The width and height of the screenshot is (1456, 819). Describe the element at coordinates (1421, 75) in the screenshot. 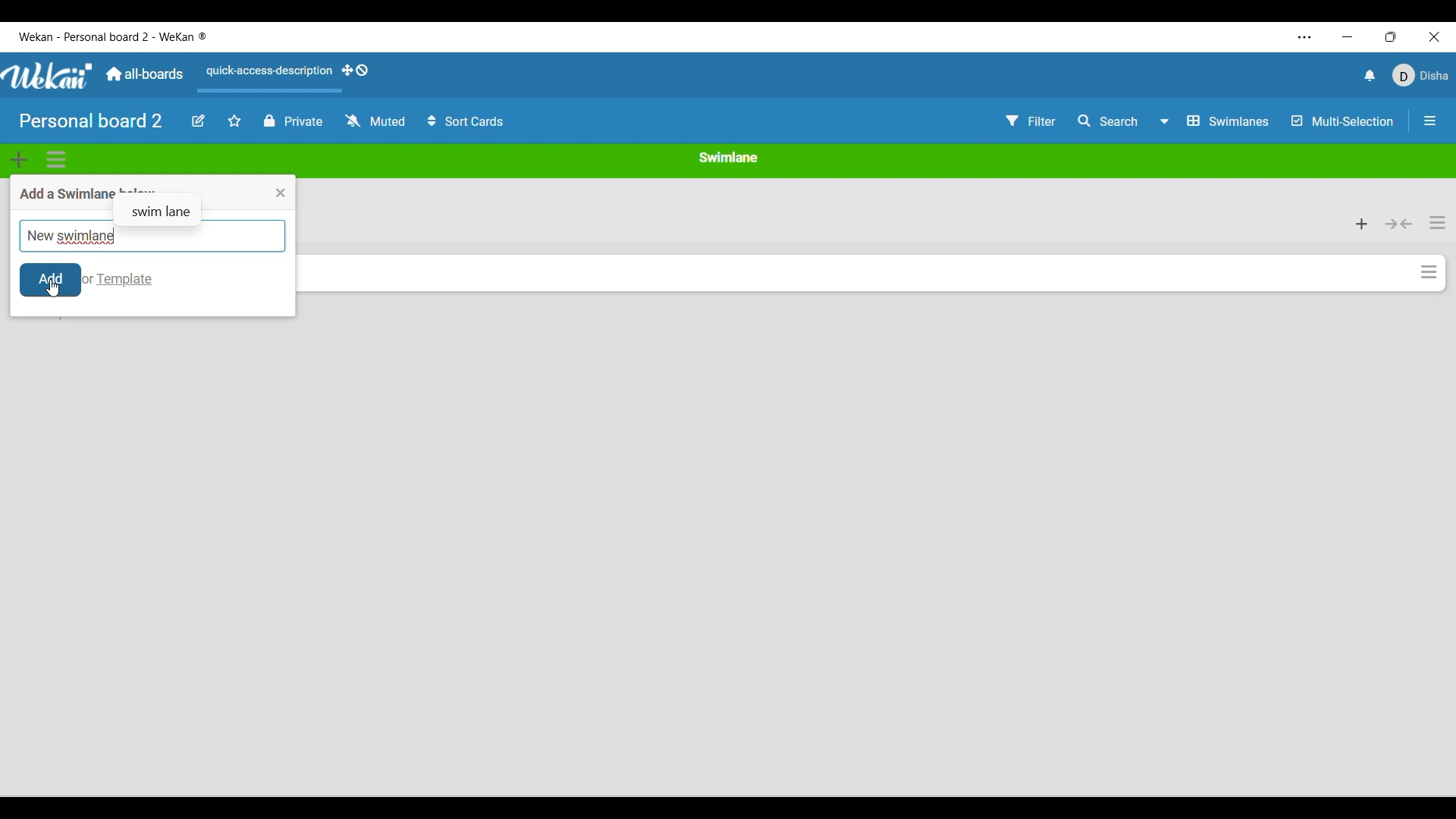

I see `Current account` at that location.